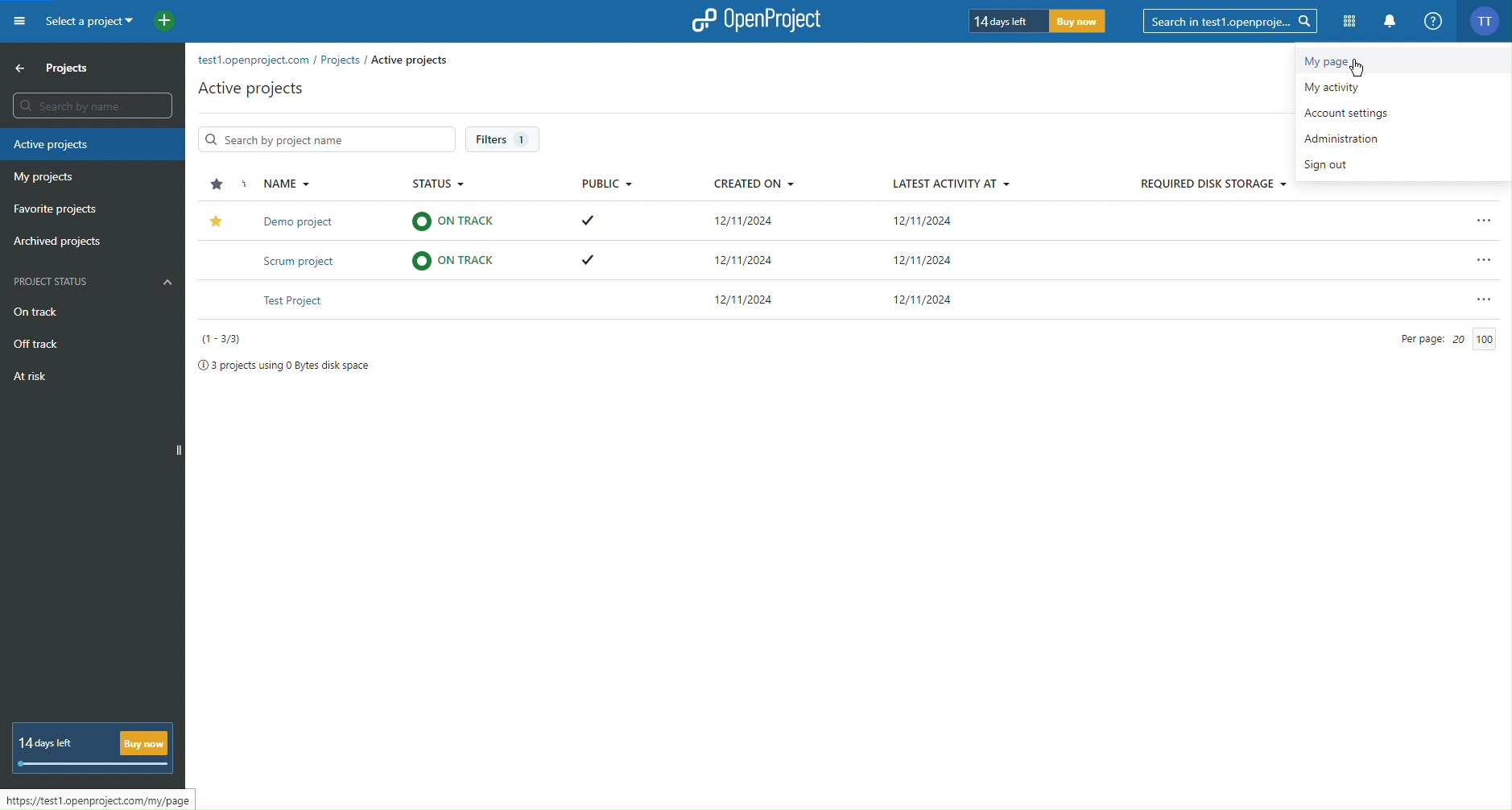  I want to click on Filters, so click(504, 139).